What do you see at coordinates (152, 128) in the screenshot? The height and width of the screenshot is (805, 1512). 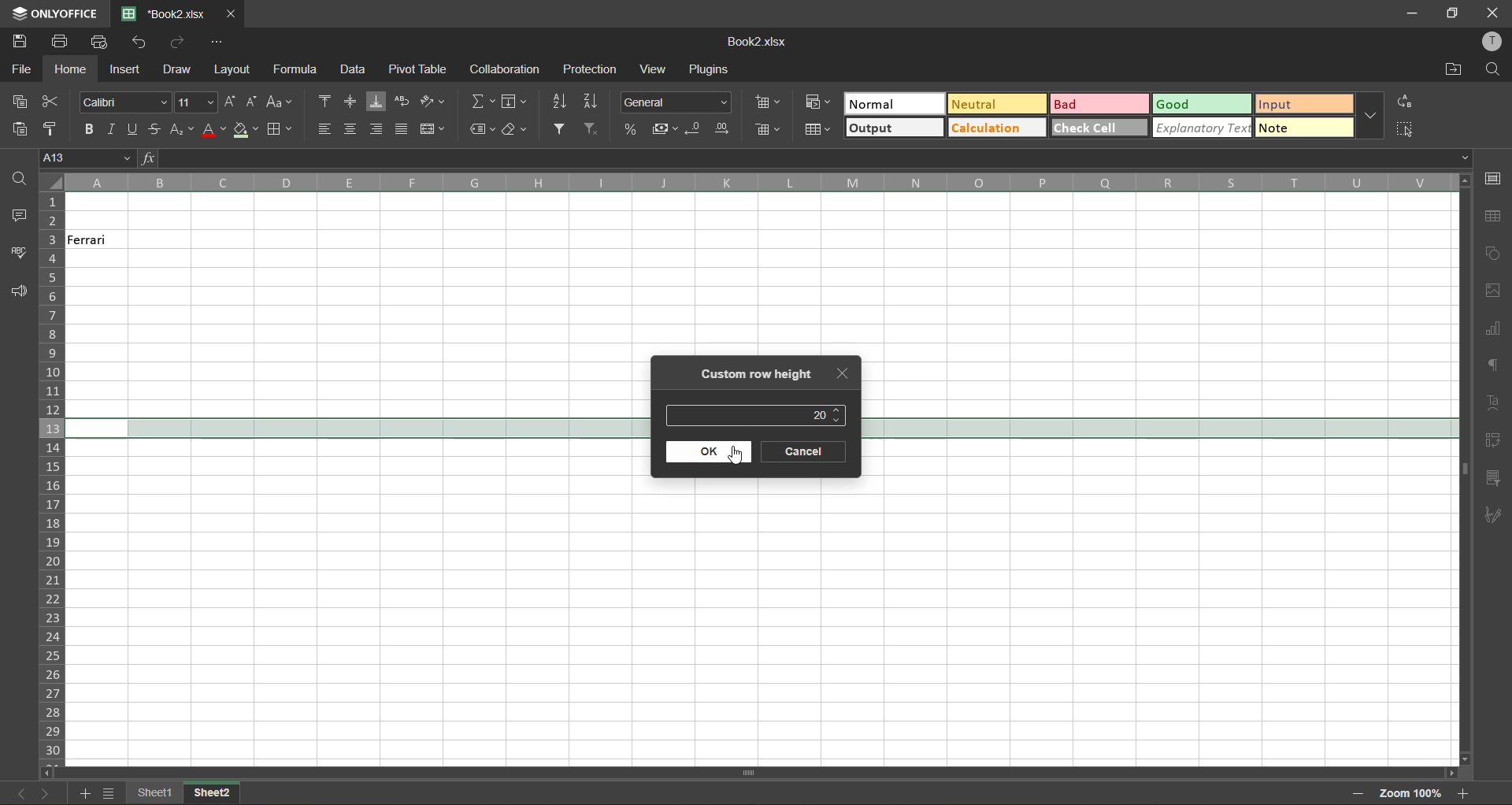 I see `strikethrough` at bounding box center [152, 128].